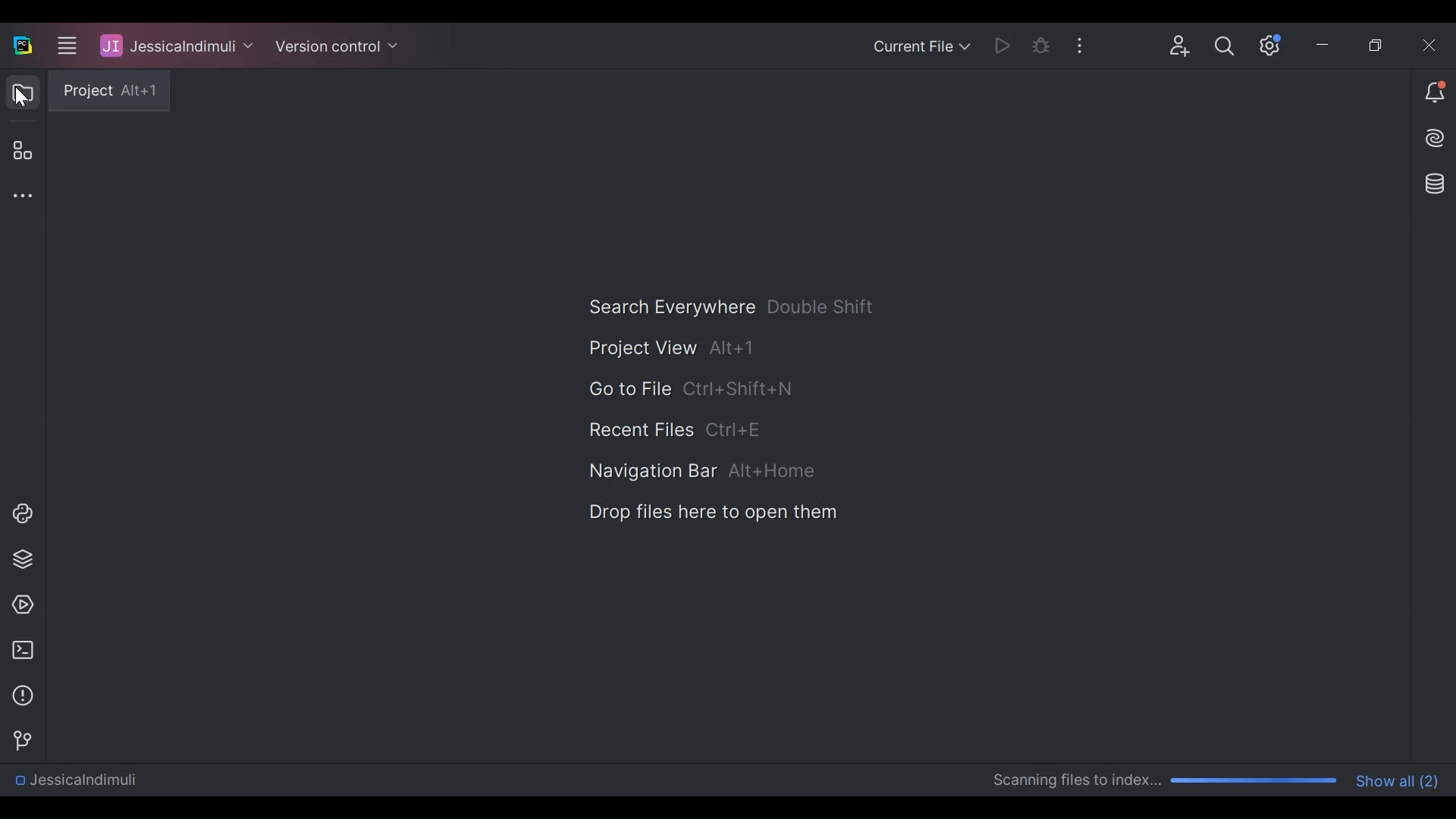  What do you see at coordinates (1323, 45) in the screenshot?
I see `Minimize` at bounding box center [1323, 45].